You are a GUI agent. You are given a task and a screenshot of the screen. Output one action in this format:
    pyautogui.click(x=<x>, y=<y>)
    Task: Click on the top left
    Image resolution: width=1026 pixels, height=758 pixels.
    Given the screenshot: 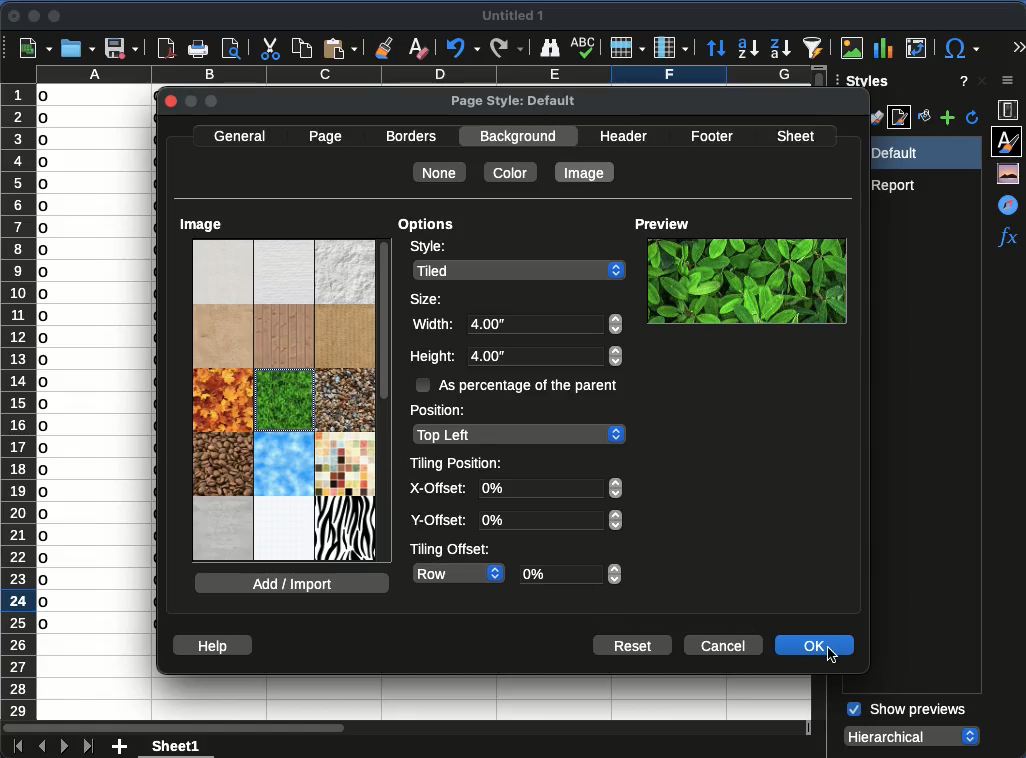 What is the action you would take?
    pyautogui.click(x=518, y=435)
    